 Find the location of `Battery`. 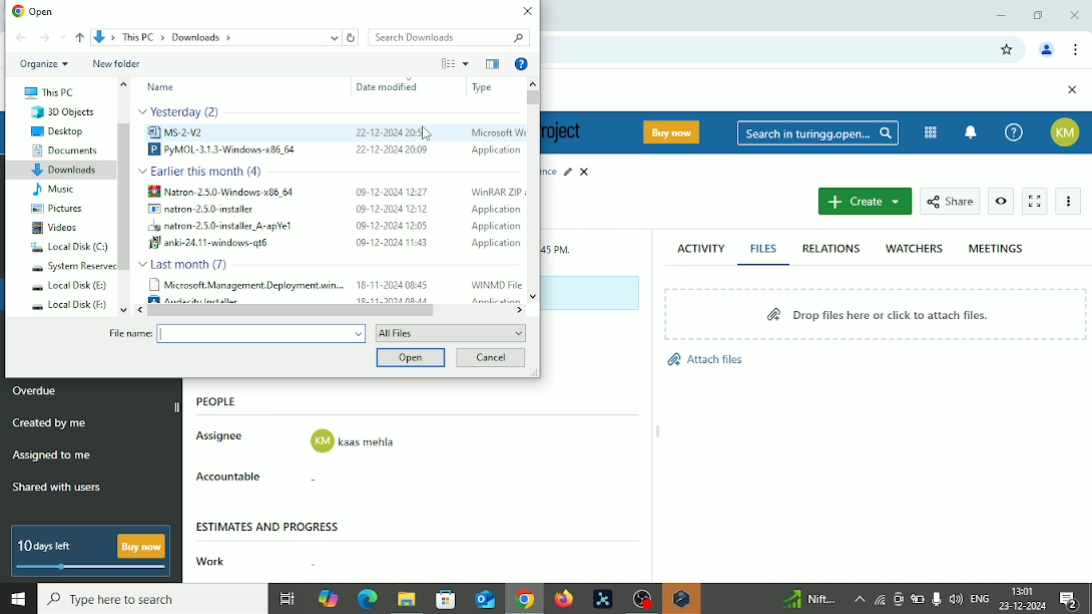

Battery is located at coordinates (918, 600).